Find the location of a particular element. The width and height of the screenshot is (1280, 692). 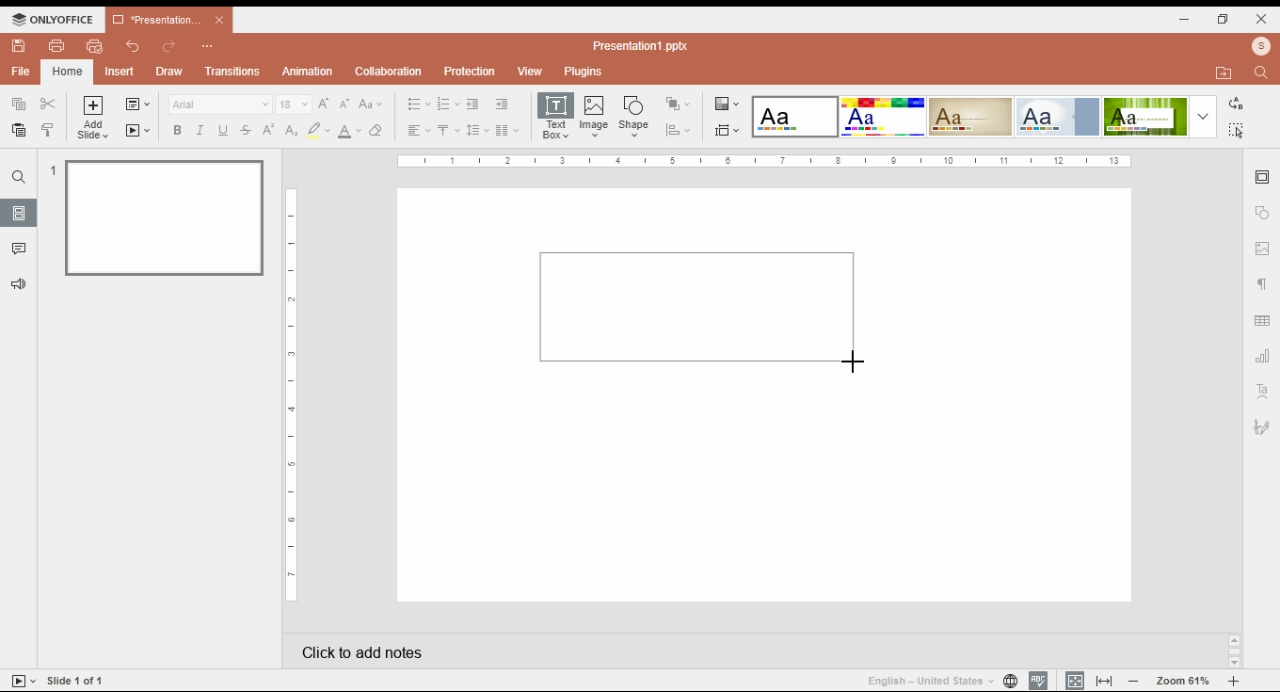

text art settings is located at coordinates (1262, 391).